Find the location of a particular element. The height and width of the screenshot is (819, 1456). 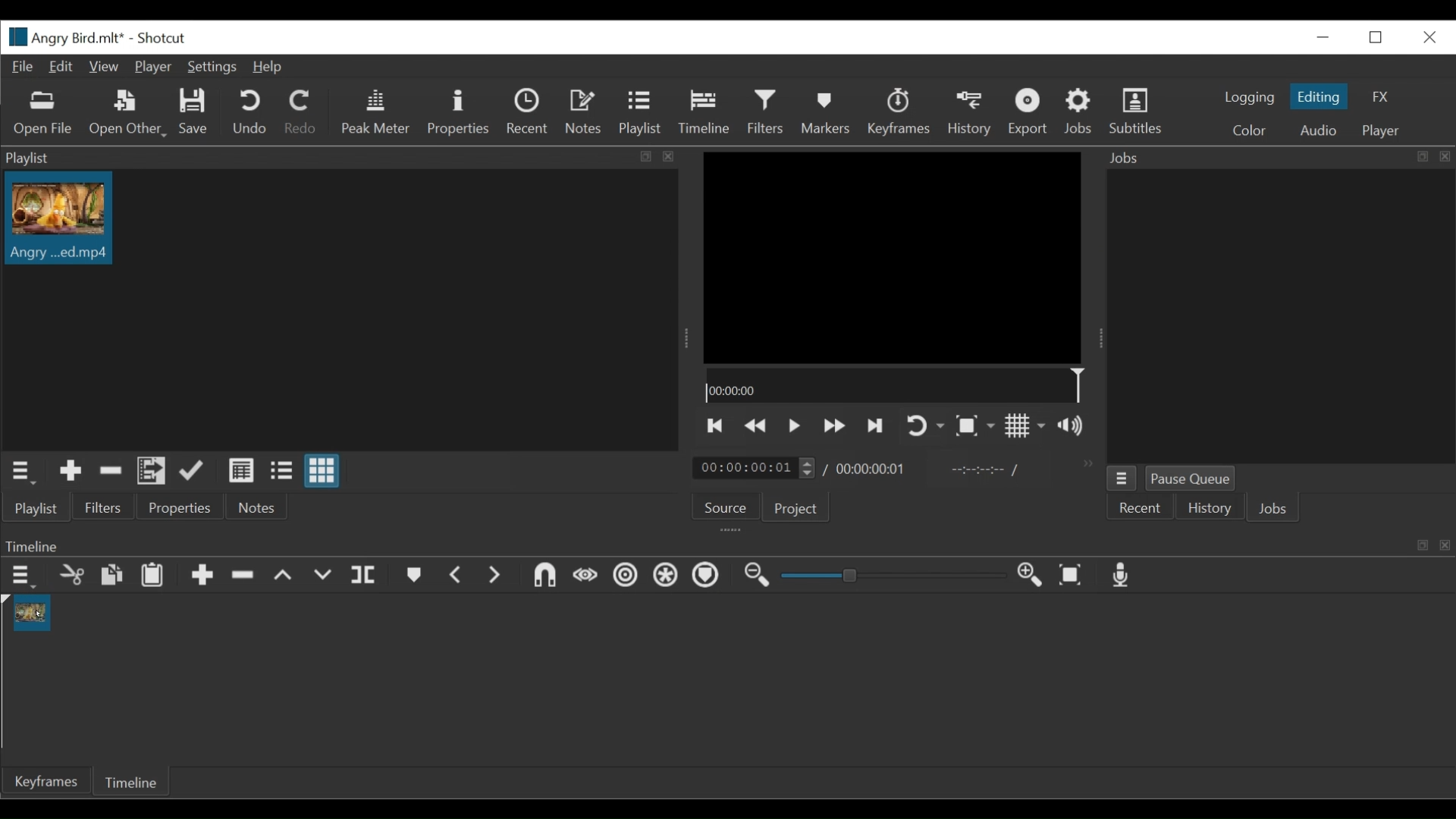

Jobs is located at coordinates (1081, 112).